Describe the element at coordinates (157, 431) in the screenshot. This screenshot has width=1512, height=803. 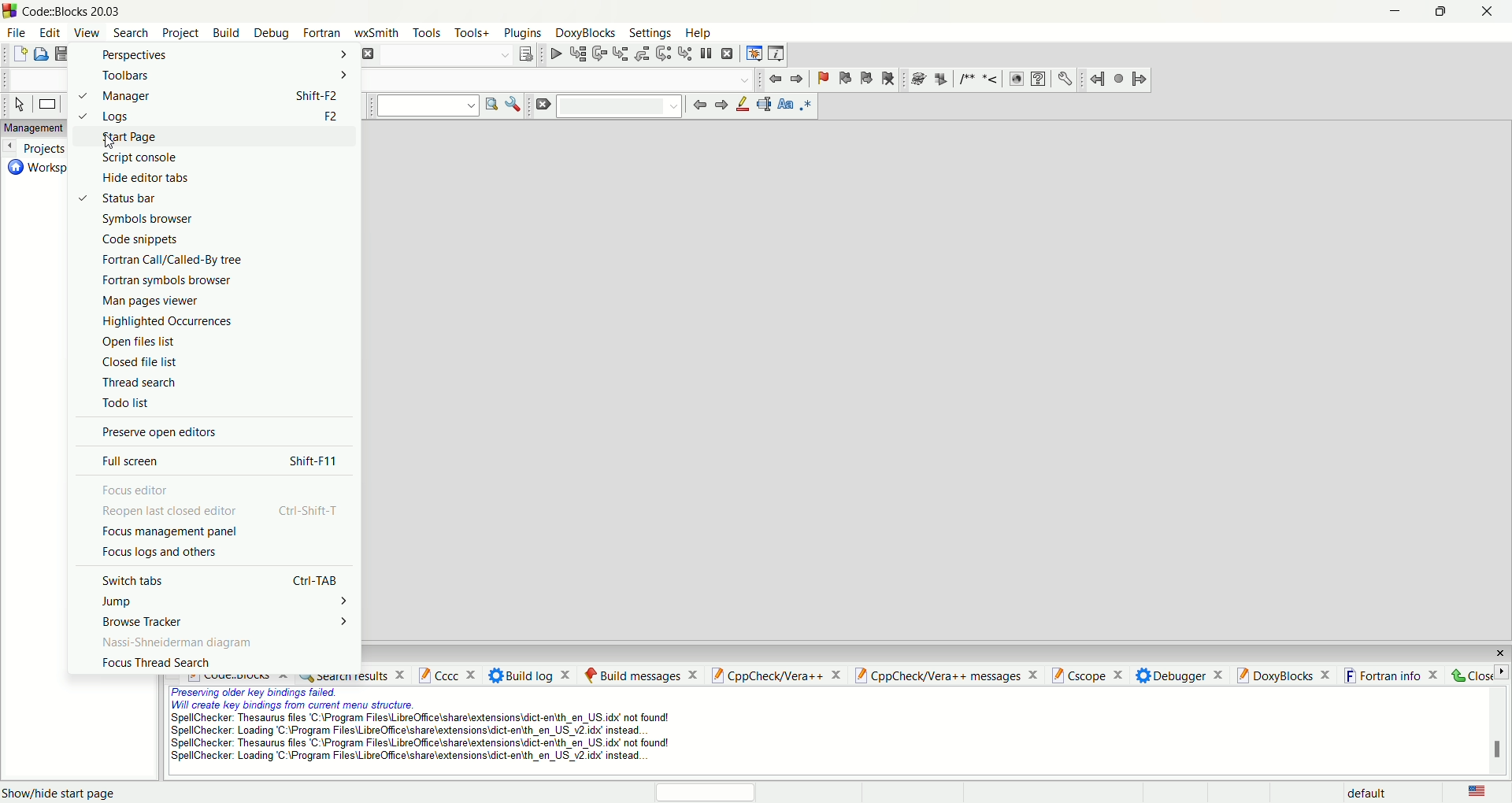
I see `preserve open editor` at that location.